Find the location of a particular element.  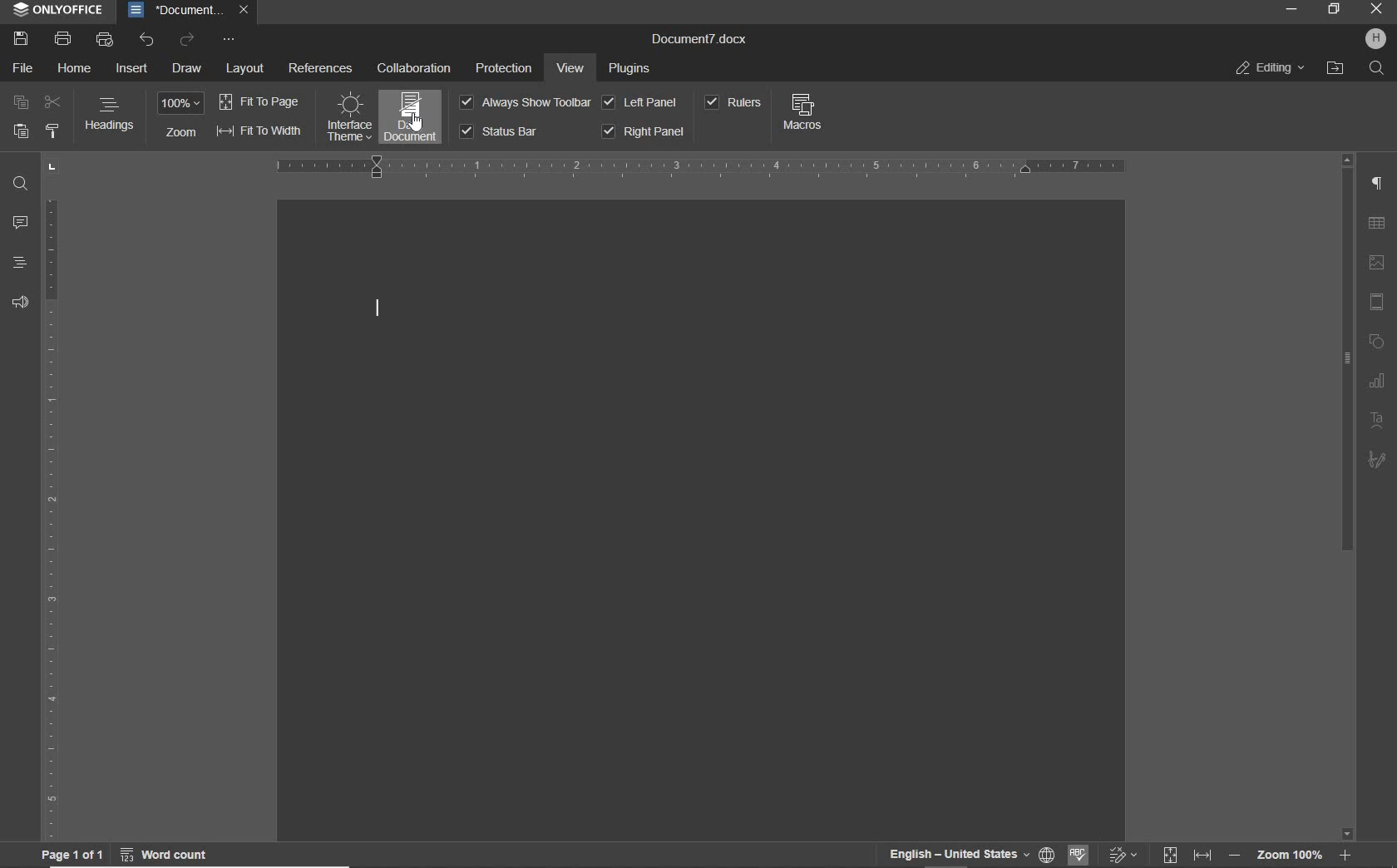

RIGHT PANE is located at coordinates (642, 131).